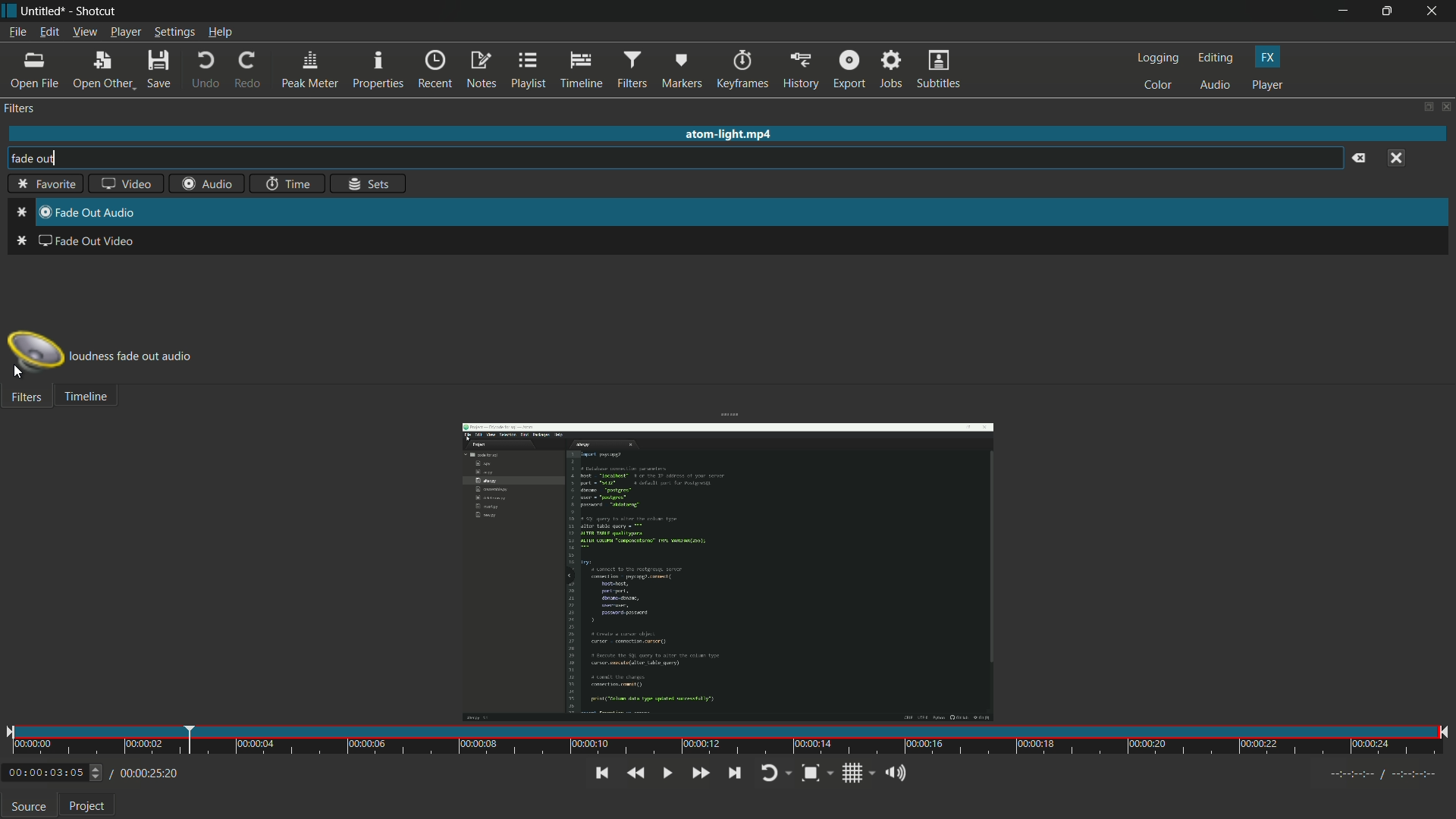  What do you see at coordinates (742, 69) in the screenshot?
I see `keyframes` at bounding box center [742, 69].